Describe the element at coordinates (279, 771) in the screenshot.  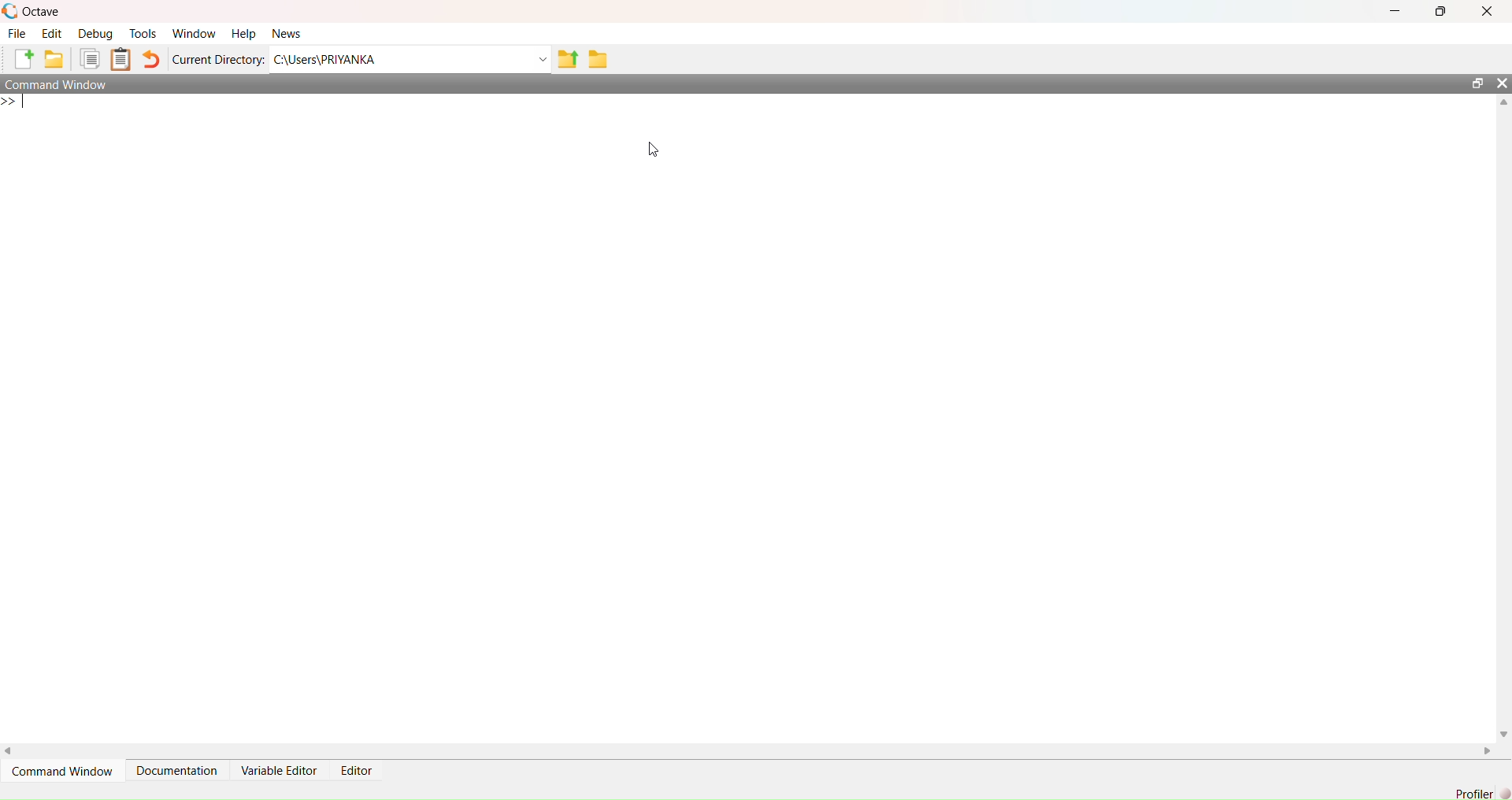
I see `Variable Editor` at that location.